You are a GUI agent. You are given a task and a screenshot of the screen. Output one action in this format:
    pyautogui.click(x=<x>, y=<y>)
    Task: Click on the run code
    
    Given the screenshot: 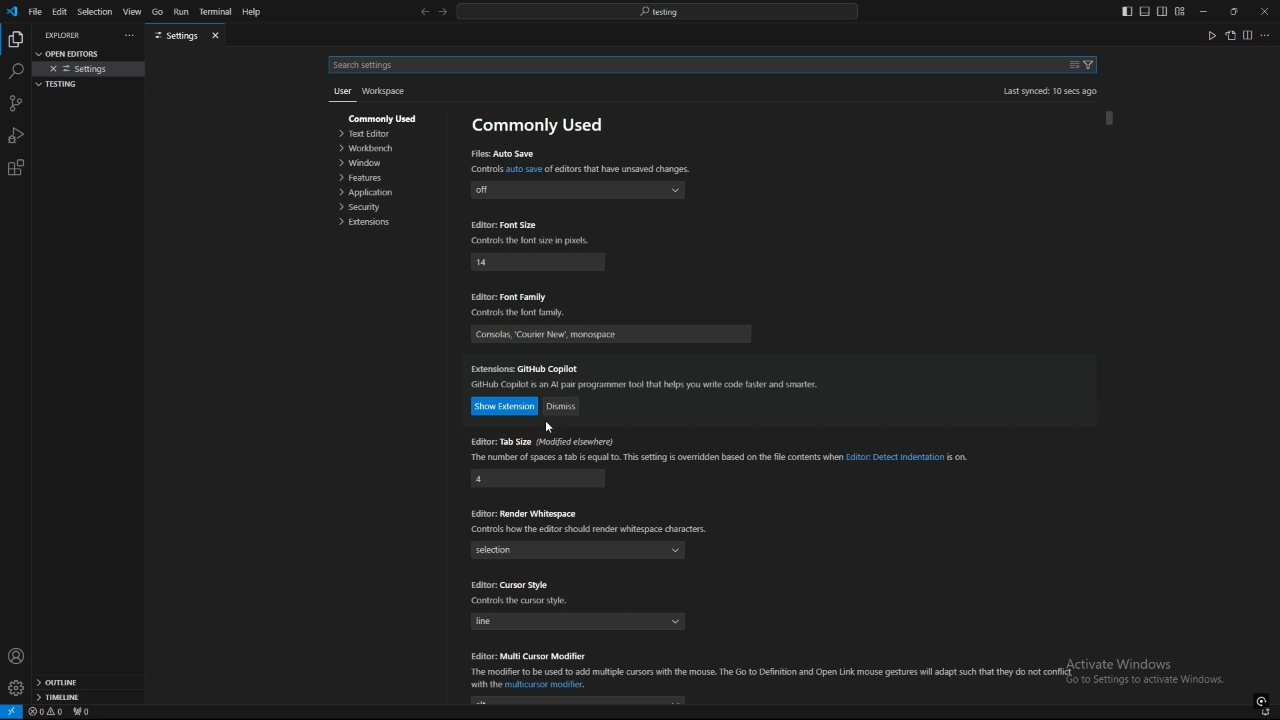 What is the action you would take?
    pyautogui.click(x=1211, y=35)
    